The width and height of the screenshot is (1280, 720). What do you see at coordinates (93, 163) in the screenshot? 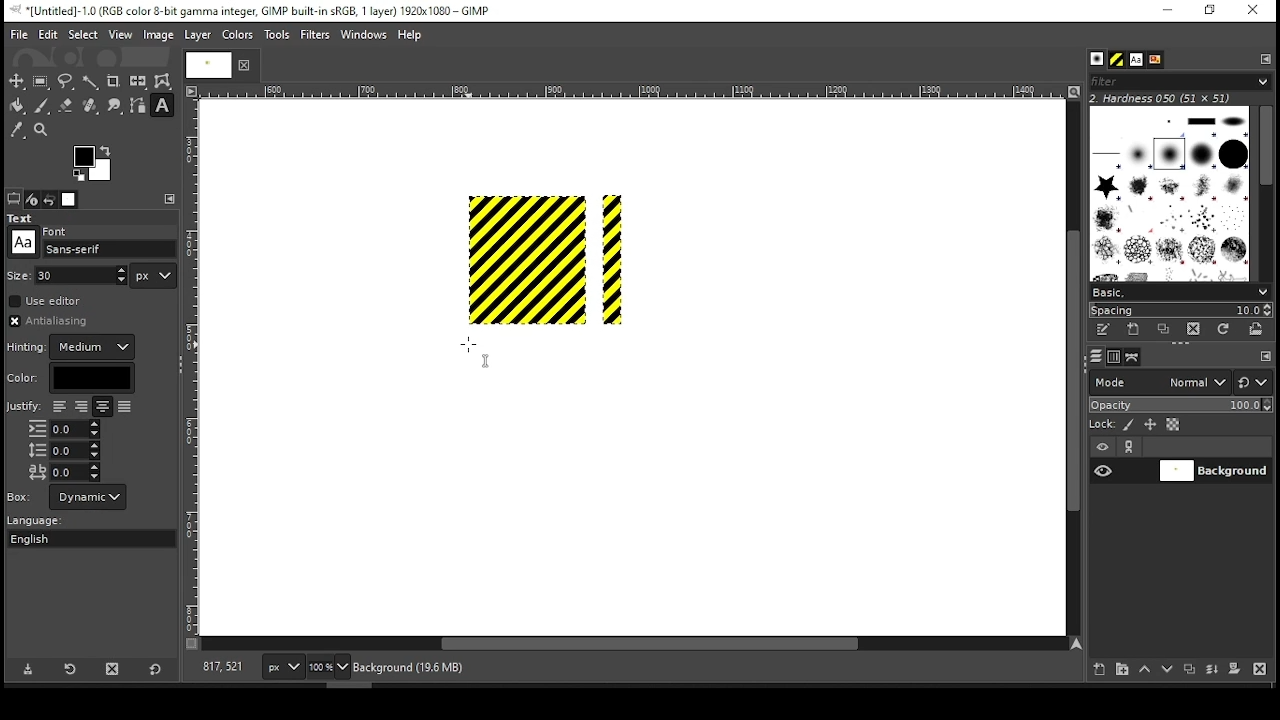
I see `colors` at bounding box center [93, 163].